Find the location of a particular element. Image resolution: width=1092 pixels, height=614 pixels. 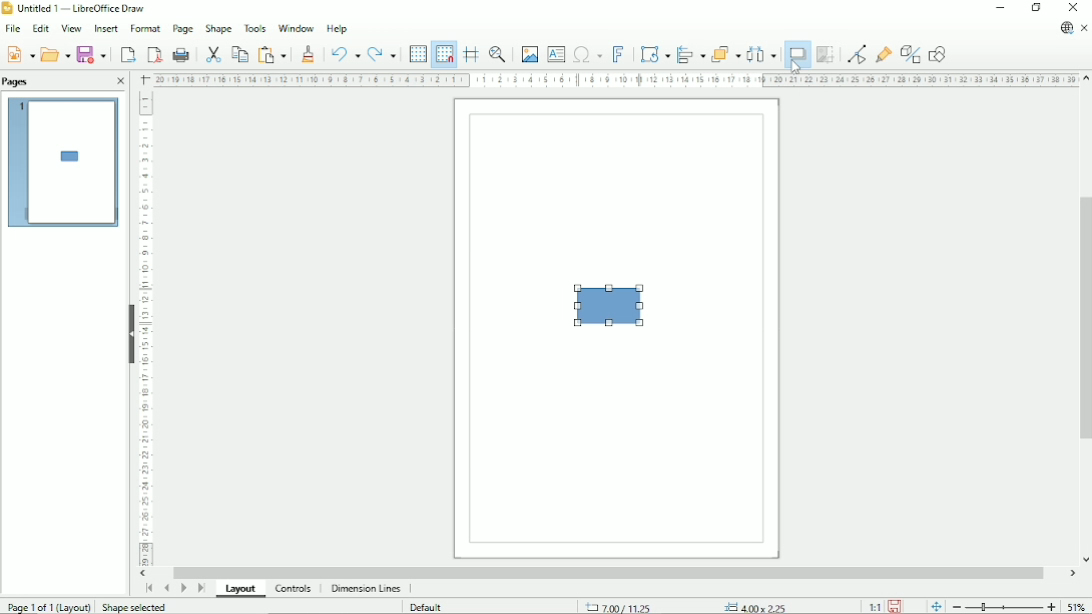

Undo is located at coordinates (343, 54).